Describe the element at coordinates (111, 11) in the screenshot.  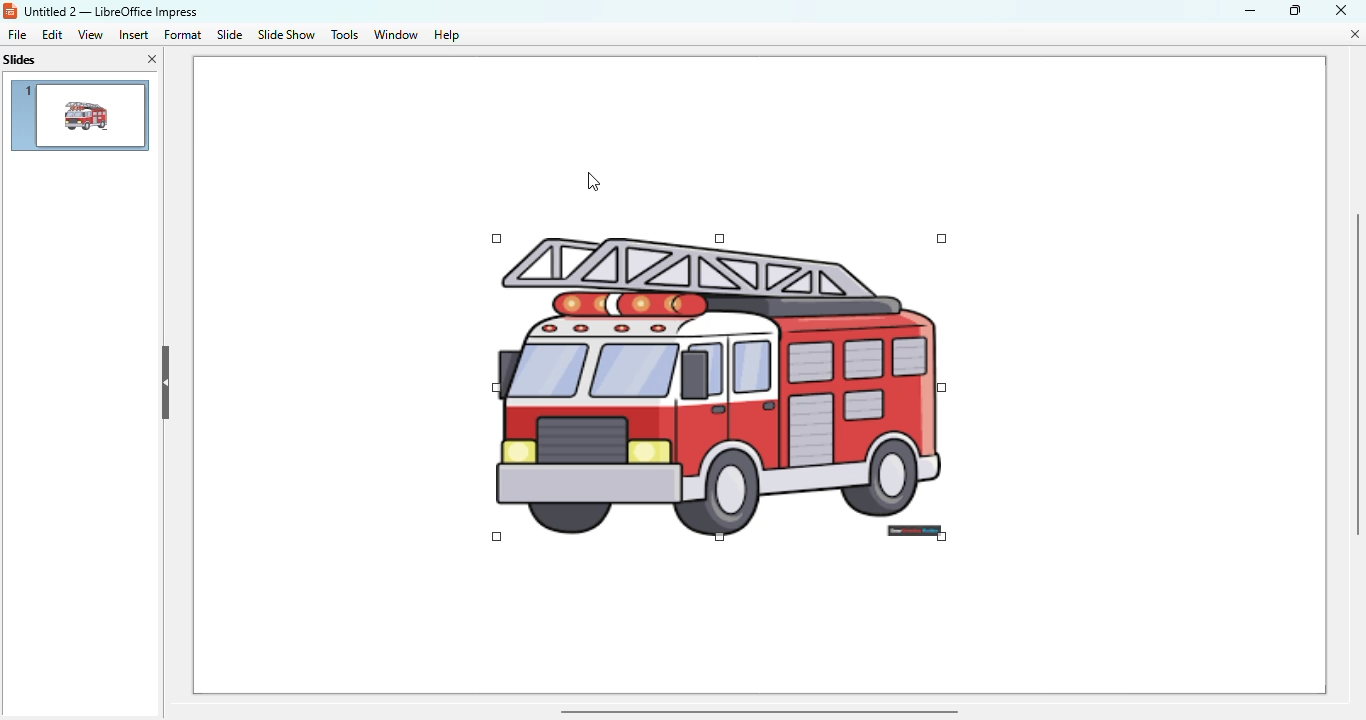
I see `title` at that location.